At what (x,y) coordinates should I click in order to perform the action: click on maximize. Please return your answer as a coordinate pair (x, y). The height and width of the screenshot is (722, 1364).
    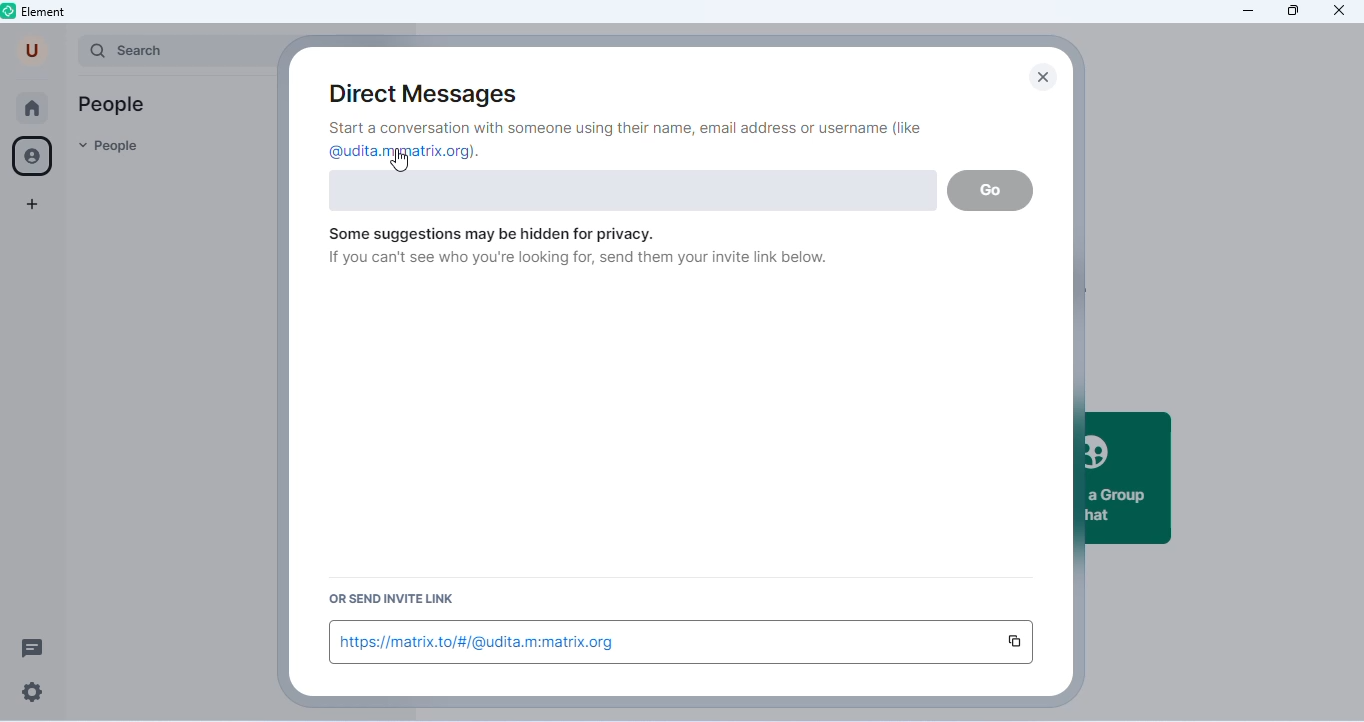
    Looking at the image, I should click on (1292, 10).